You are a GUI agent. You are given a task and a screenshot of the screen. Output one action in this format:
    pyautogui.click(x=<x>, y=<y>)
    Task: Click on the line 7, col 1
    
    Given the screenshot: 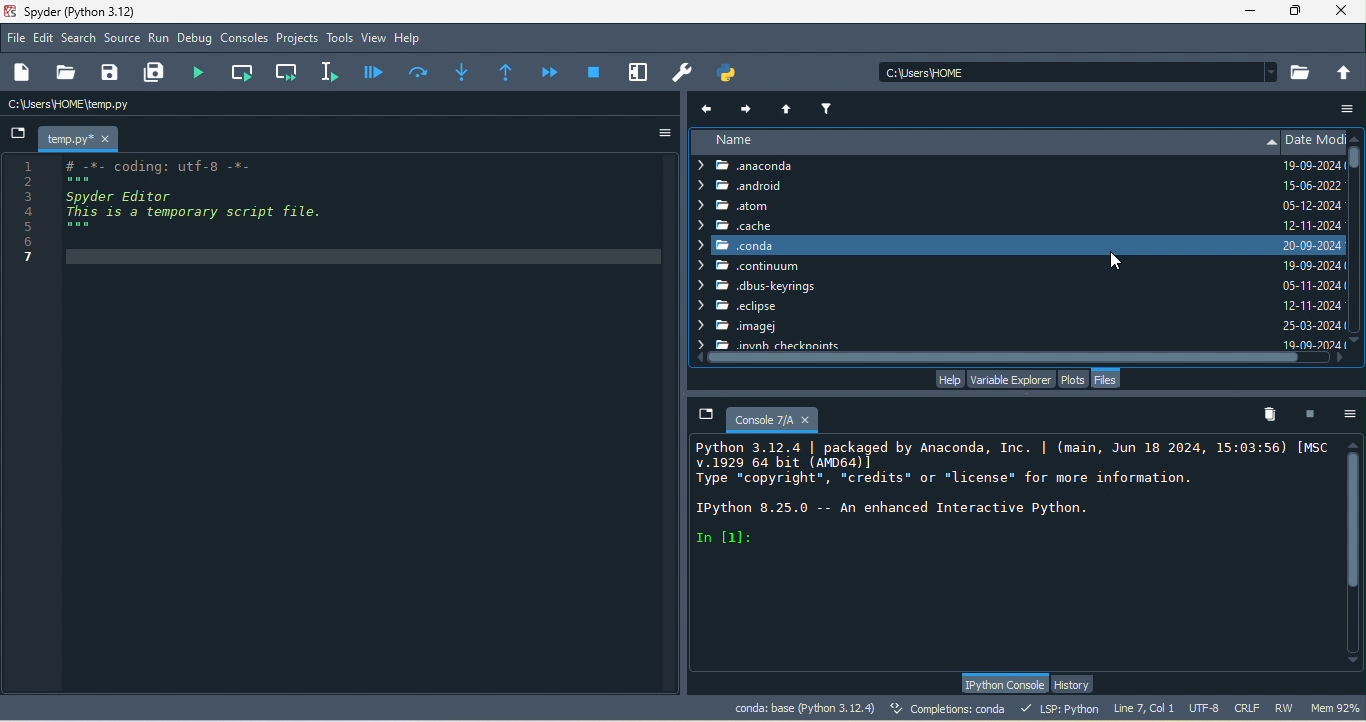 What is the action you would take?
    pyautogui.click(x=1144, y=707)
    